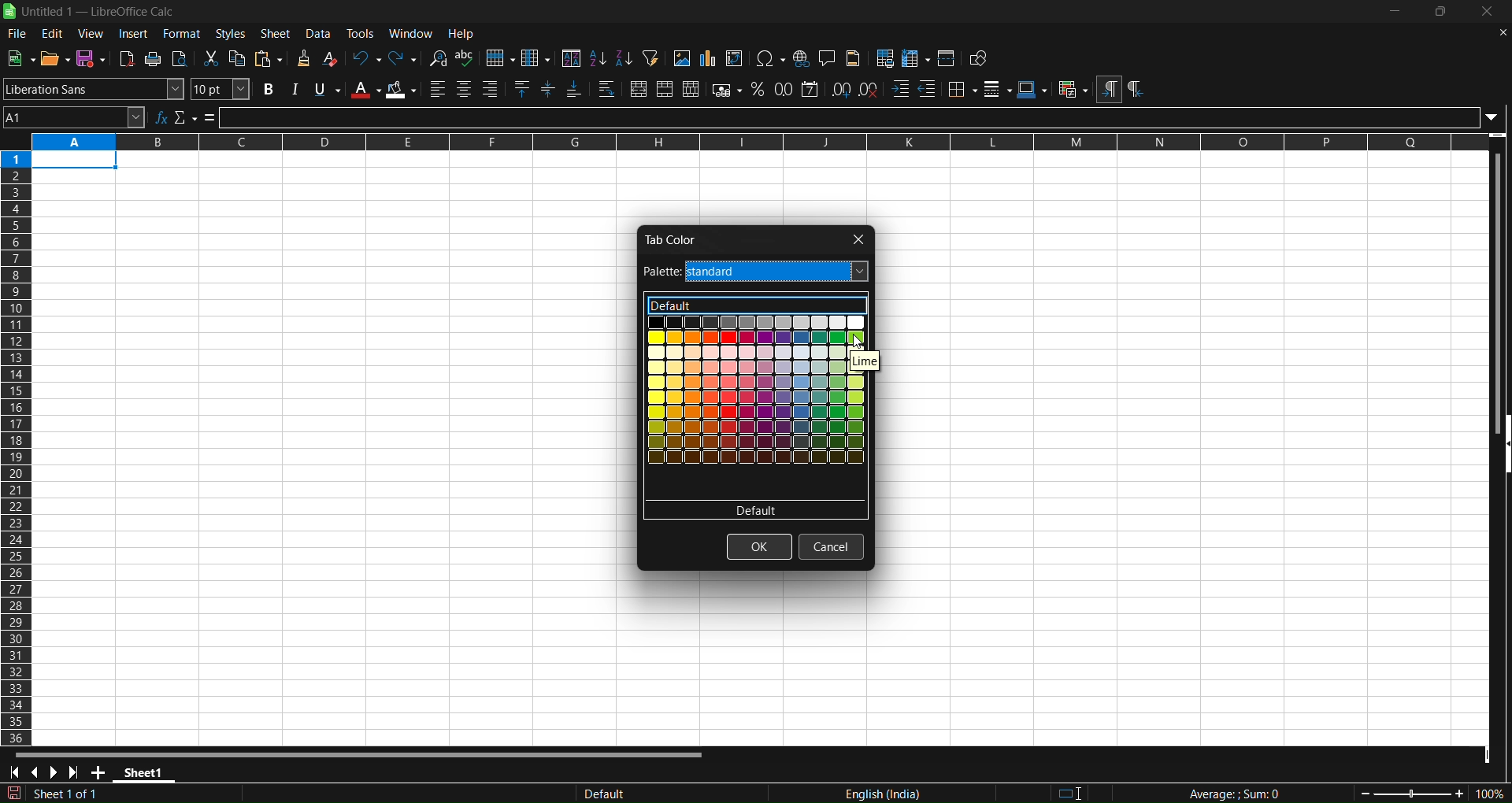 This screenshot has height=803, width=1512. Describe the element at coordinates (665, 90) in the screenshot. I see `merge cells` at that location.